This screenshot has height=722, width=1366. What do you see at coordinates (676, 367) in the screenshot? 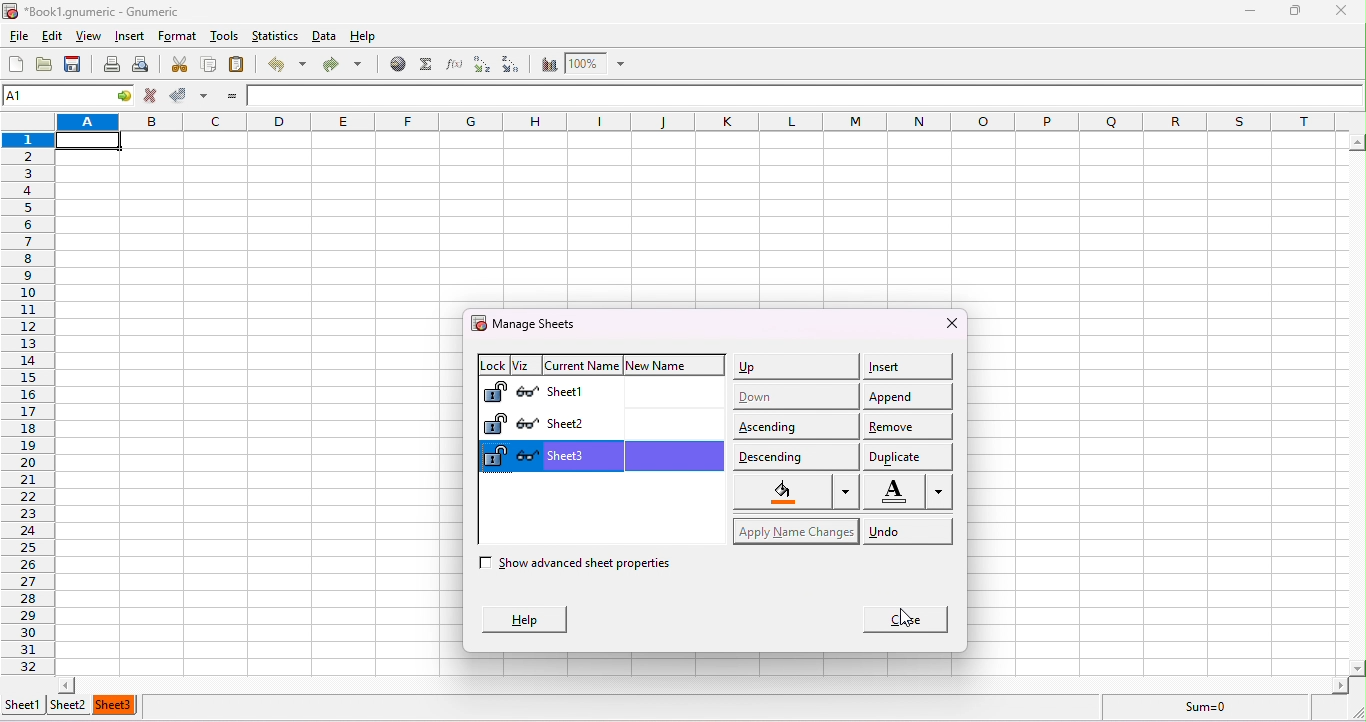
I see `new name` at bounding box center [676, 367].